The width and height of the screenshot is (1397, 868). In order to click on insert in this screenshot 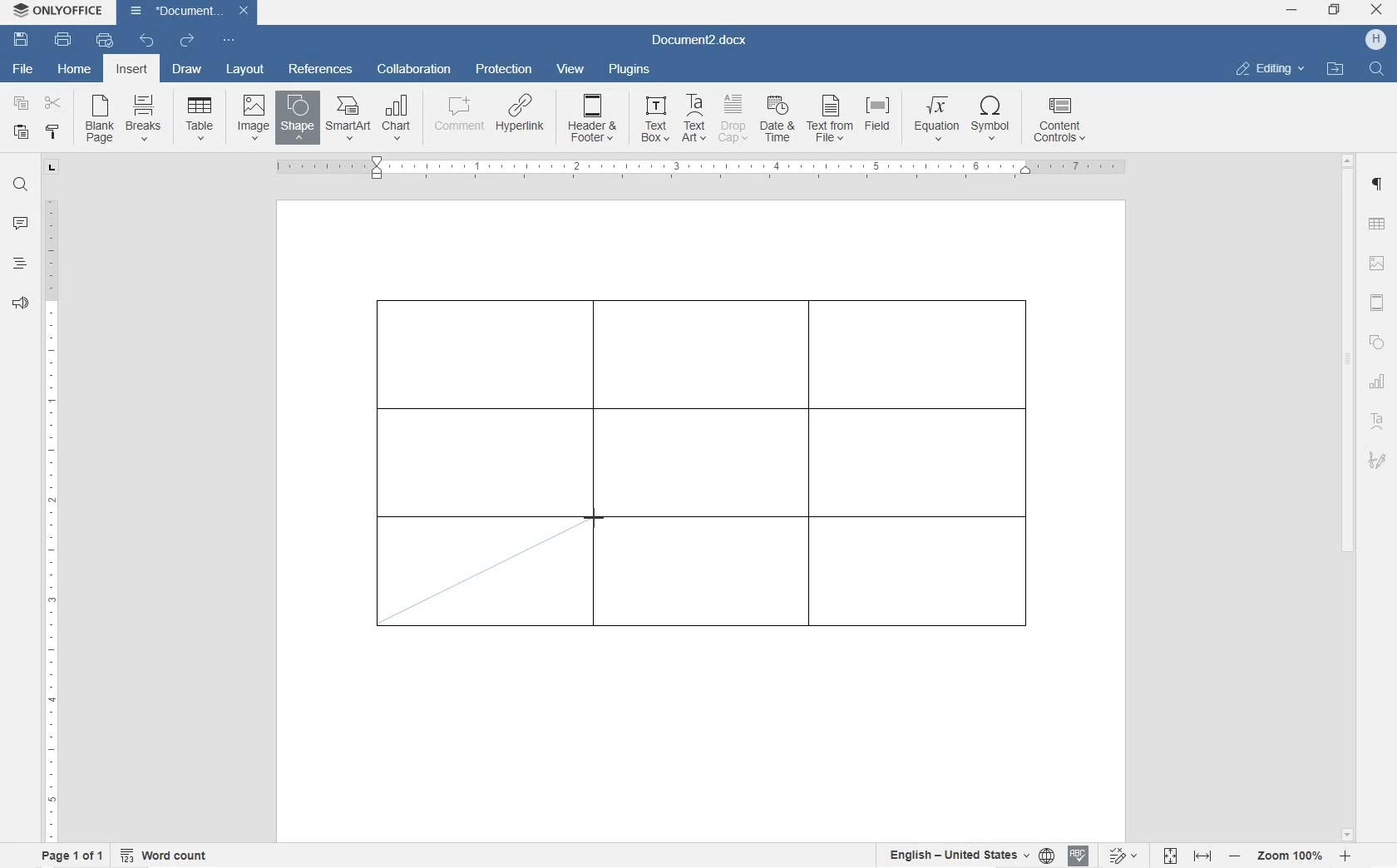, I will do `click(131, 70)`.